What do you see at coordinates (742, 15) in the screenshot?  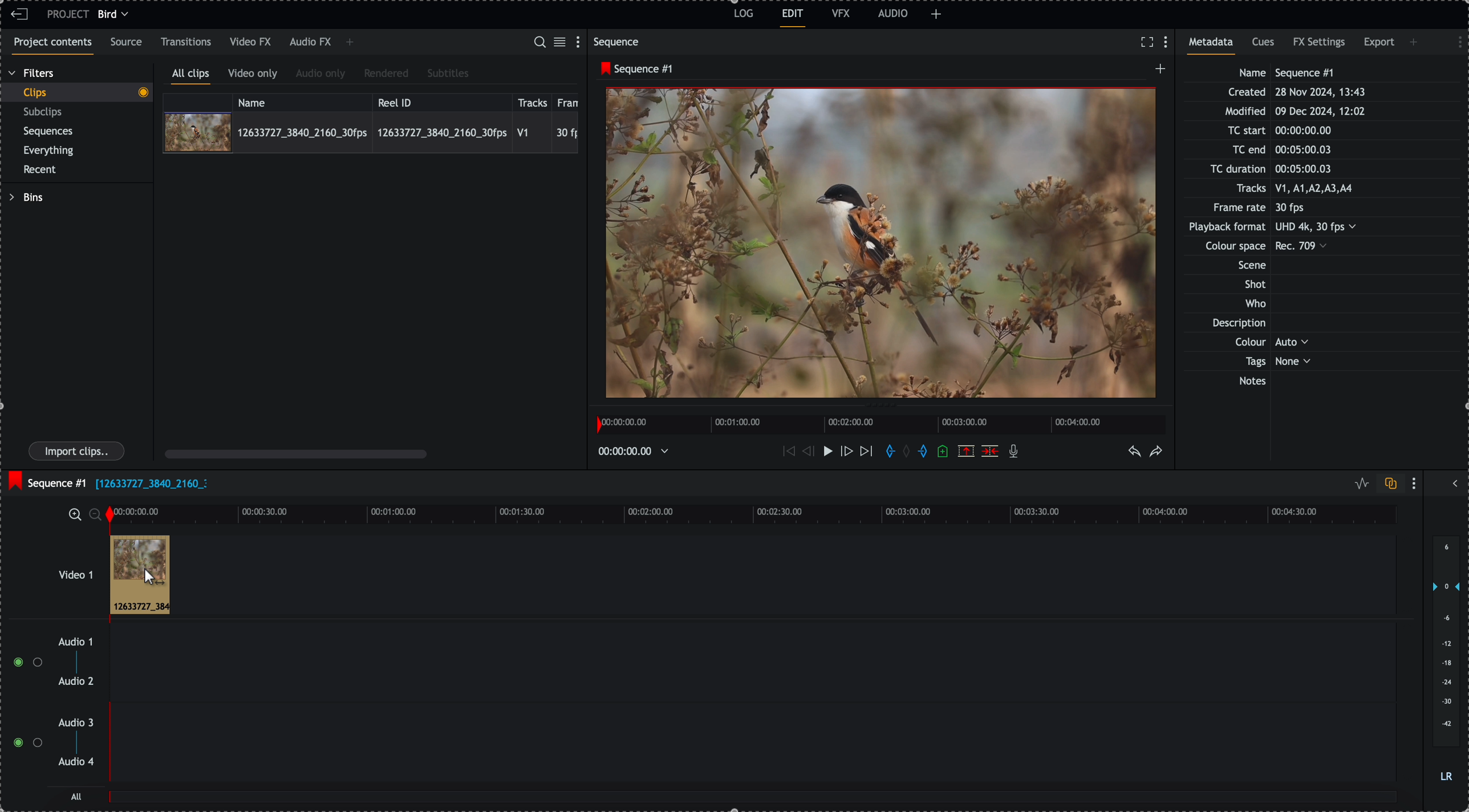 I see `log` at bounding box center [742, 15].